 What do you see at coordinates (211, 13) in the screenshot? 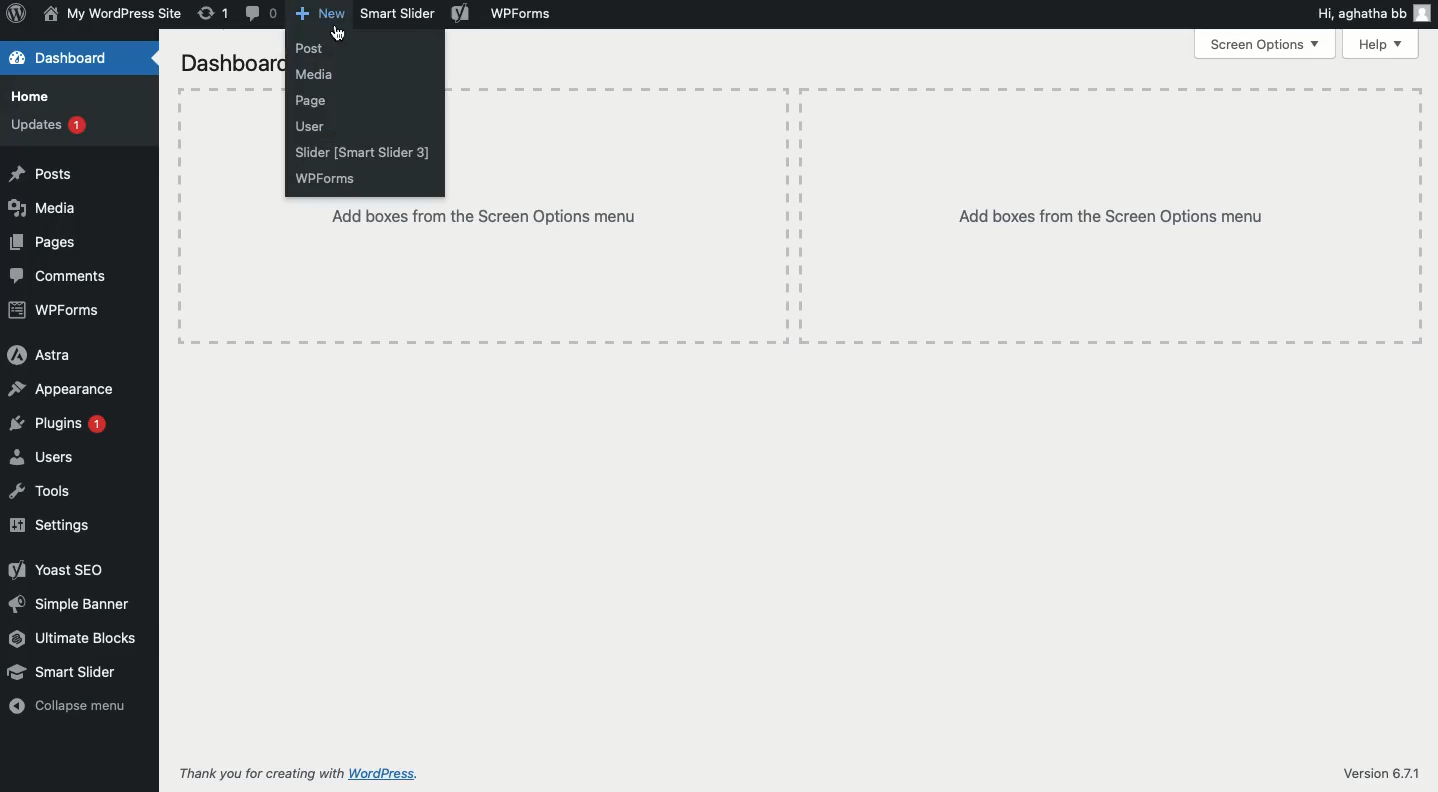
I see `Revision` at bounding box center [211, 13].